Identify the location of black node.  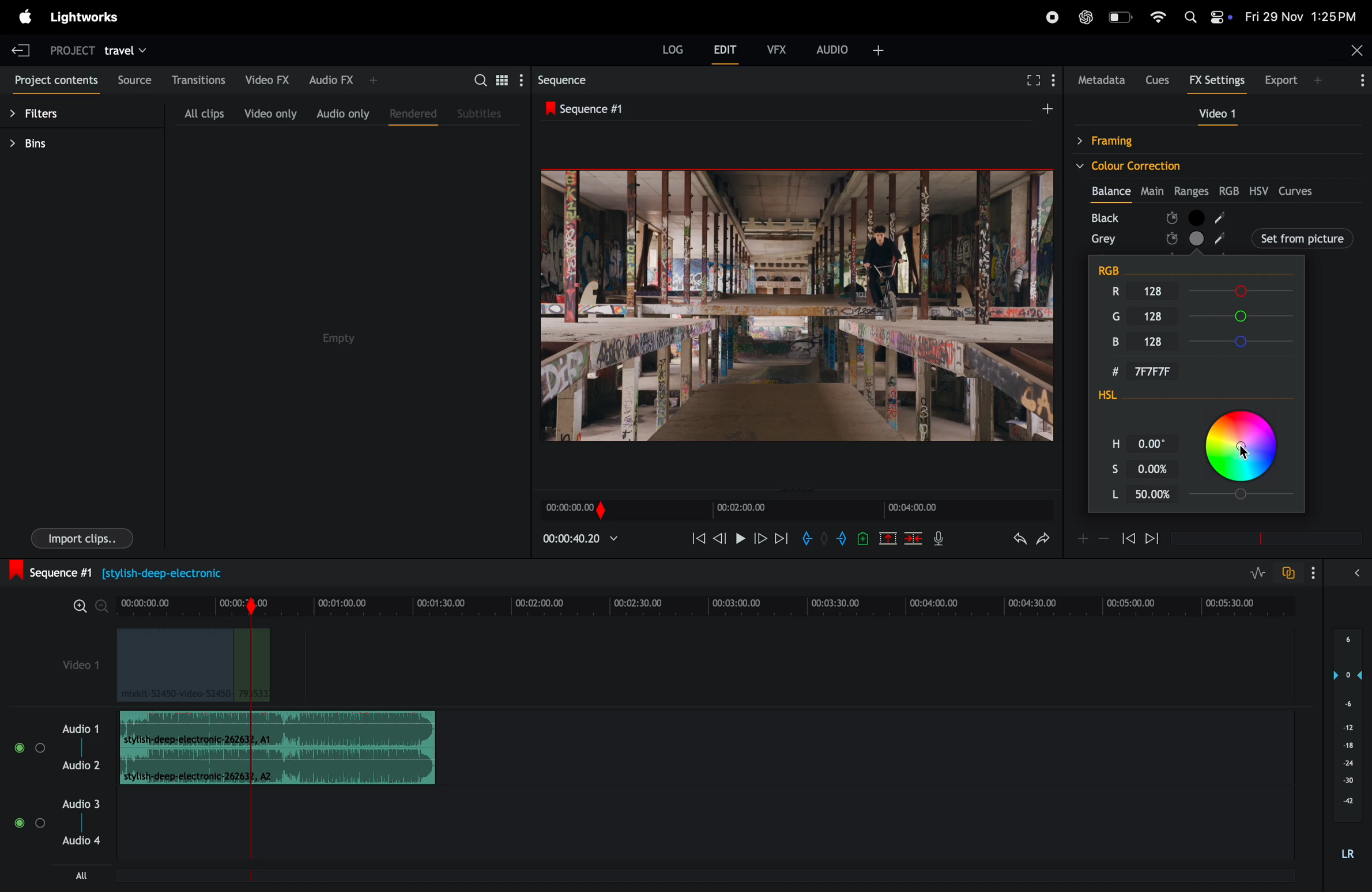
(1261, 217).